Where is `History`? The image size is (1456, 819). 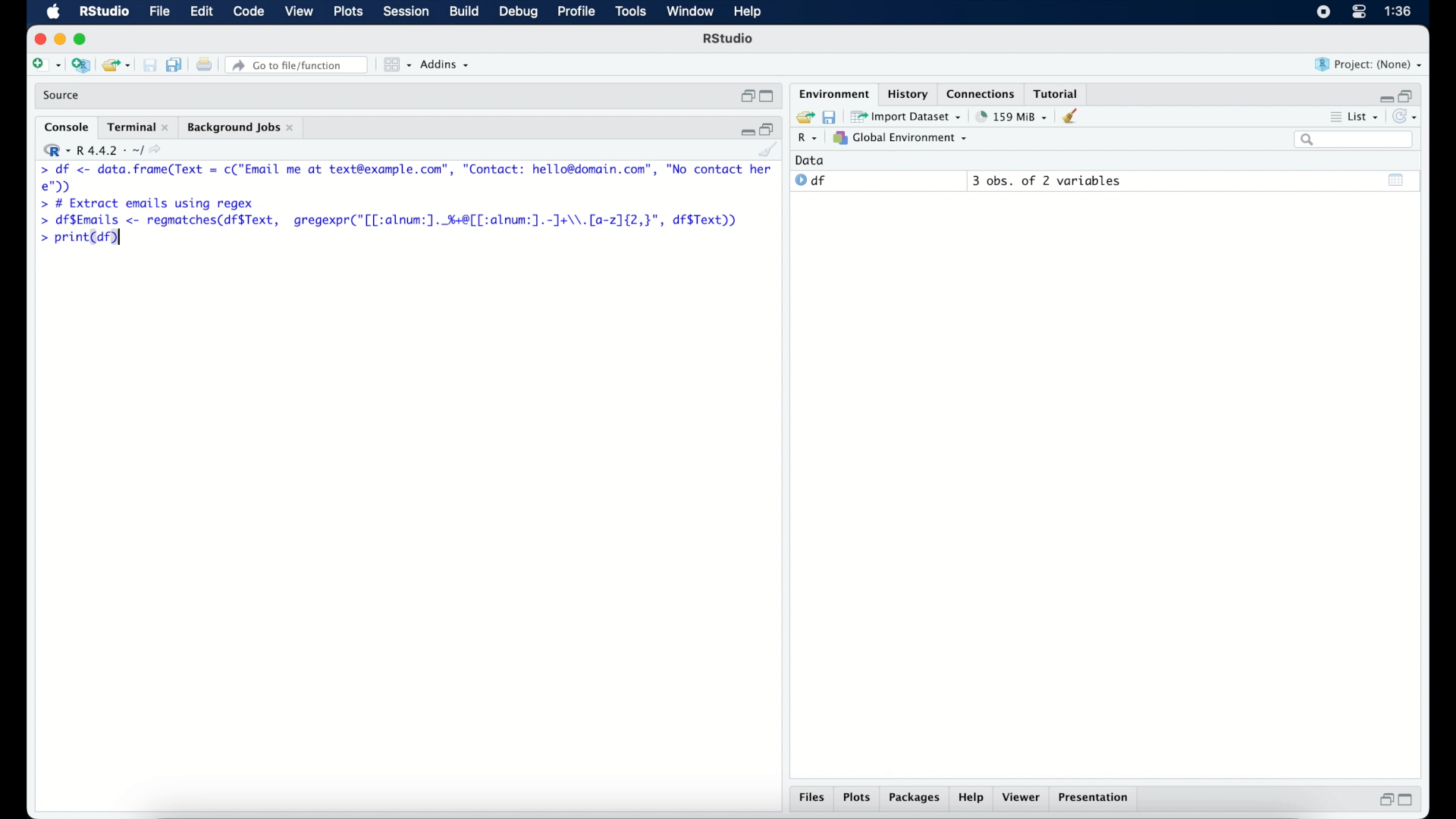 History is located at coordinates (906, 93).